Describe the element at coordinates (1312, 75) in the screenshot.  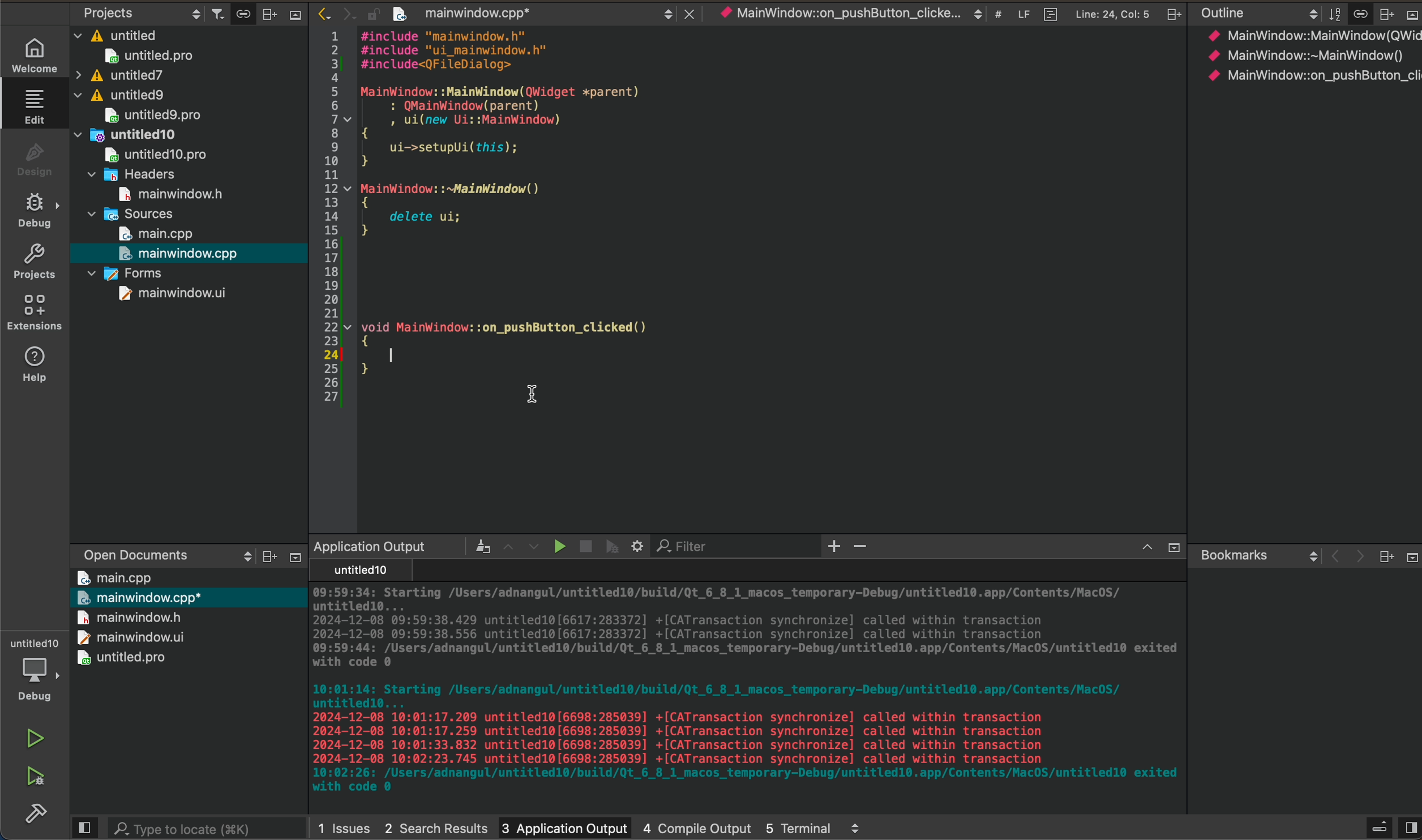
I see `MainWindow::on_pushButton cl` at that location.